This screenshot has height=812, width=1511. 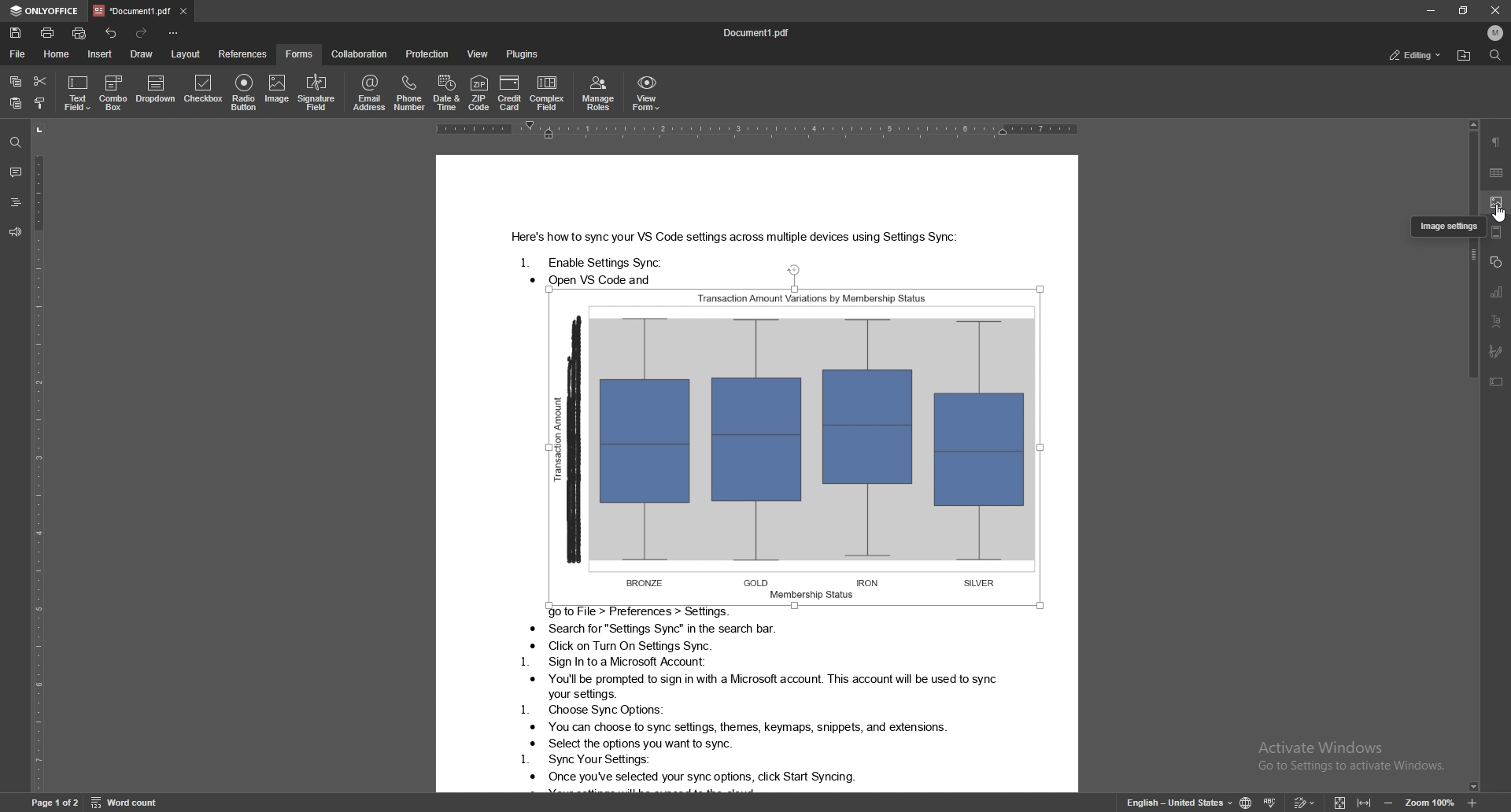 I want to click on email address, so click(x=369, y=92).